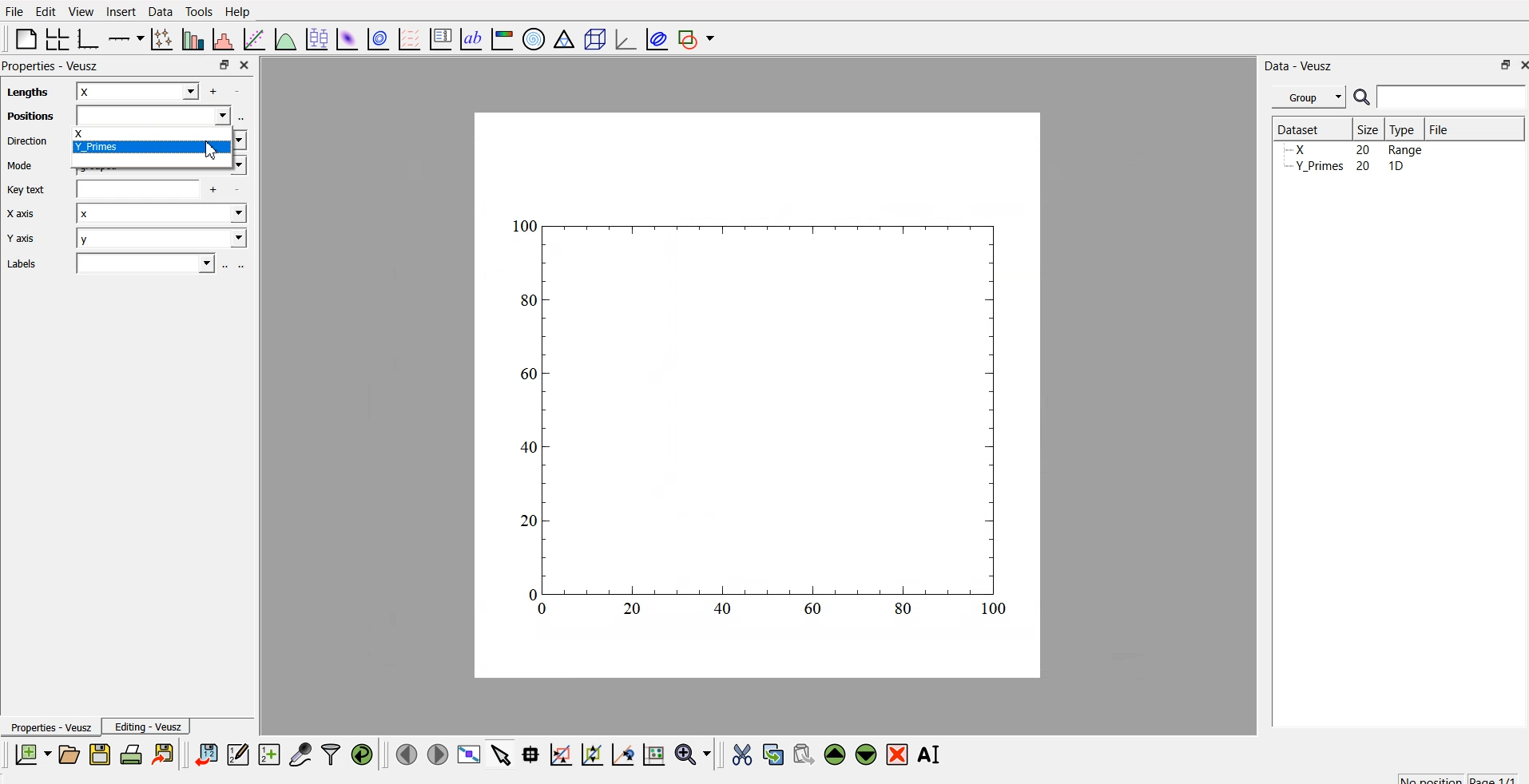  What do you see at coordinates (126, 116) in the screenshot?
I see `Positions` at bounding box center [126, 116].